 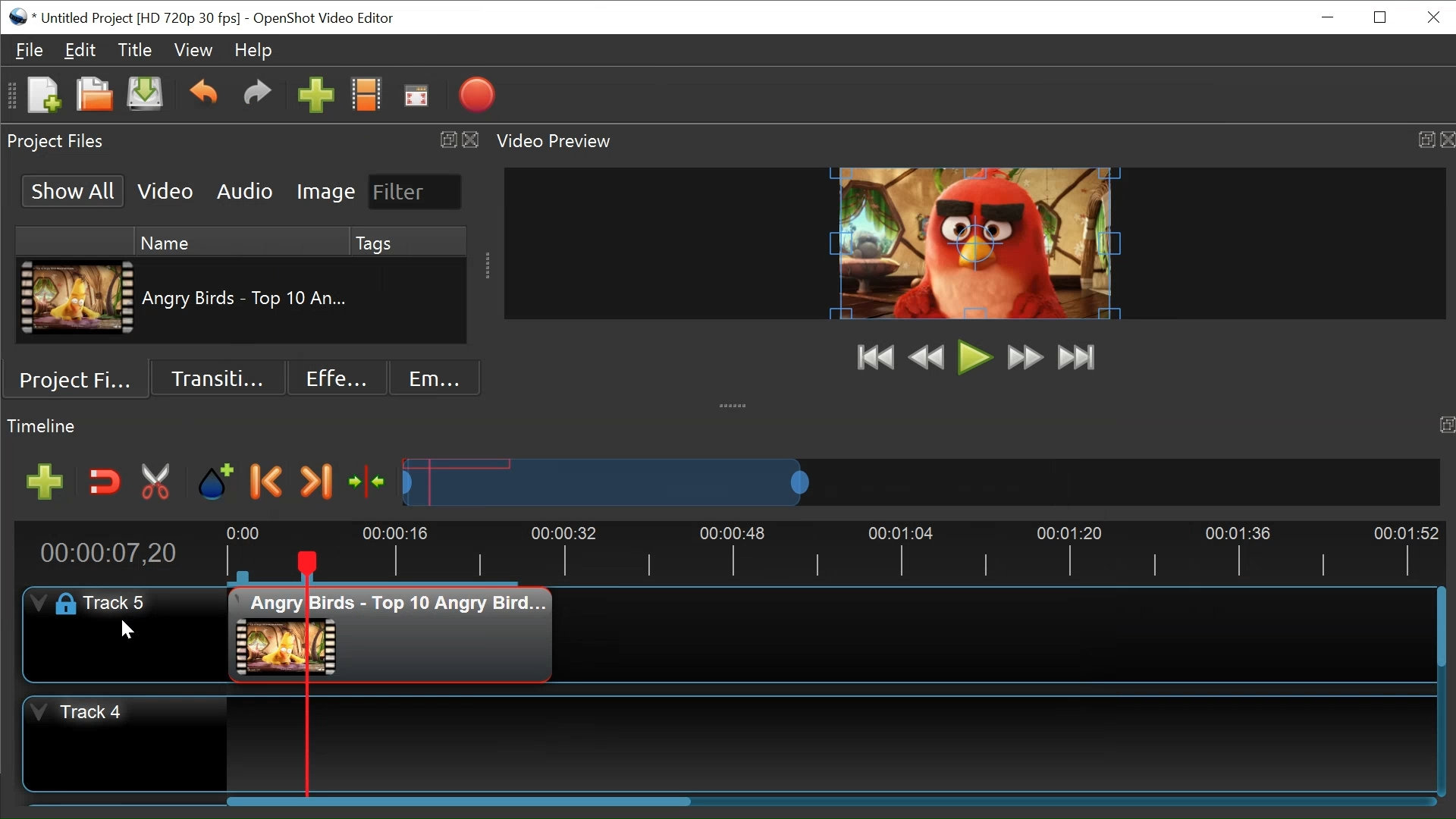 What do you see at coordinates (247, 191) in the screenshot?
I see `Audio` at bounding box center [247, 191].